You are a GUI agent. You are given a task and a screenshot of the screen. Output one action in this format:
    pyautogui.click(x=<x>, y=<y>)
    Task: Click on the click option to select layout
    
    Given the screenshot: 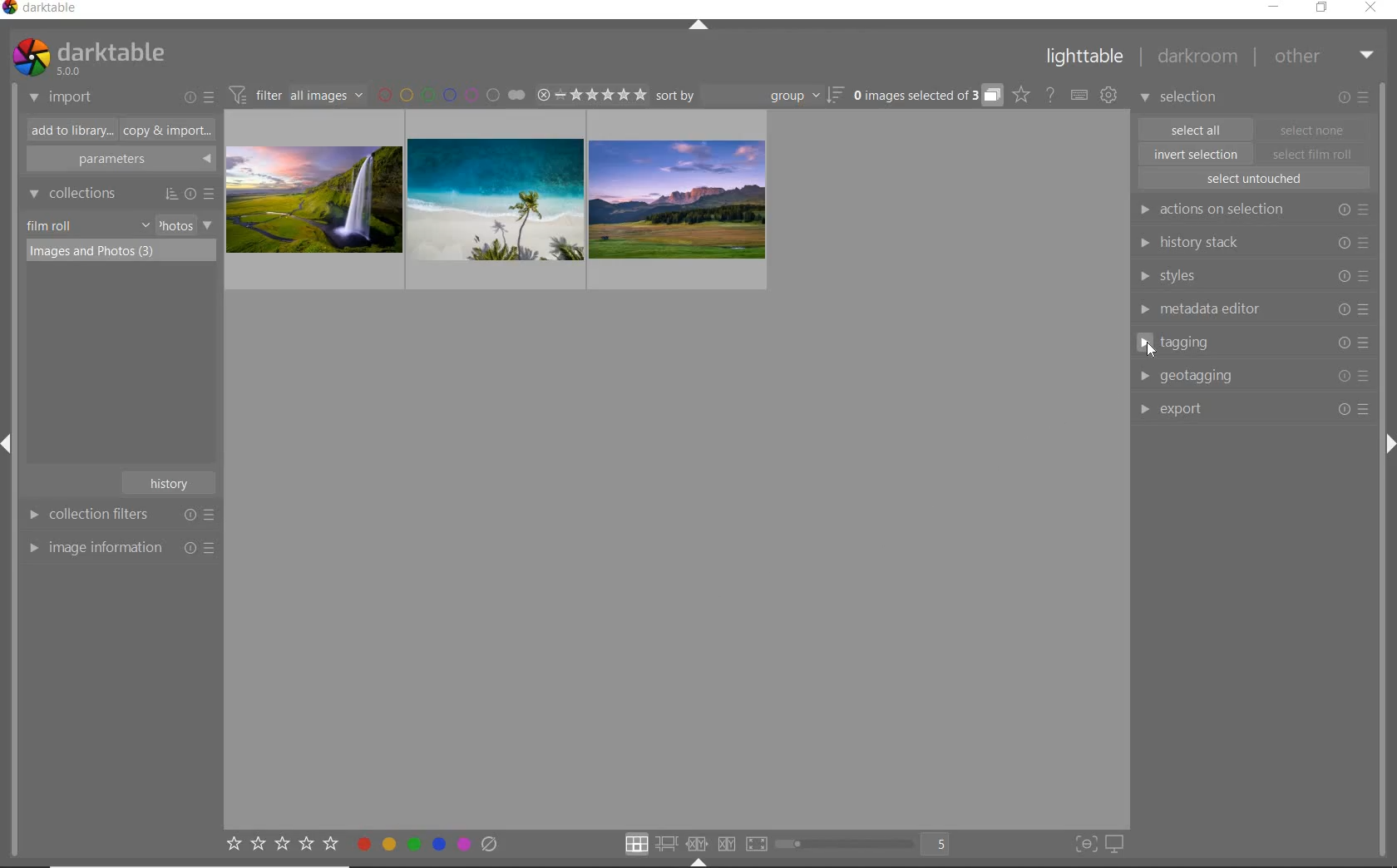 What is the action you would take?
    pyautogui.click(x=693, y=844)
    